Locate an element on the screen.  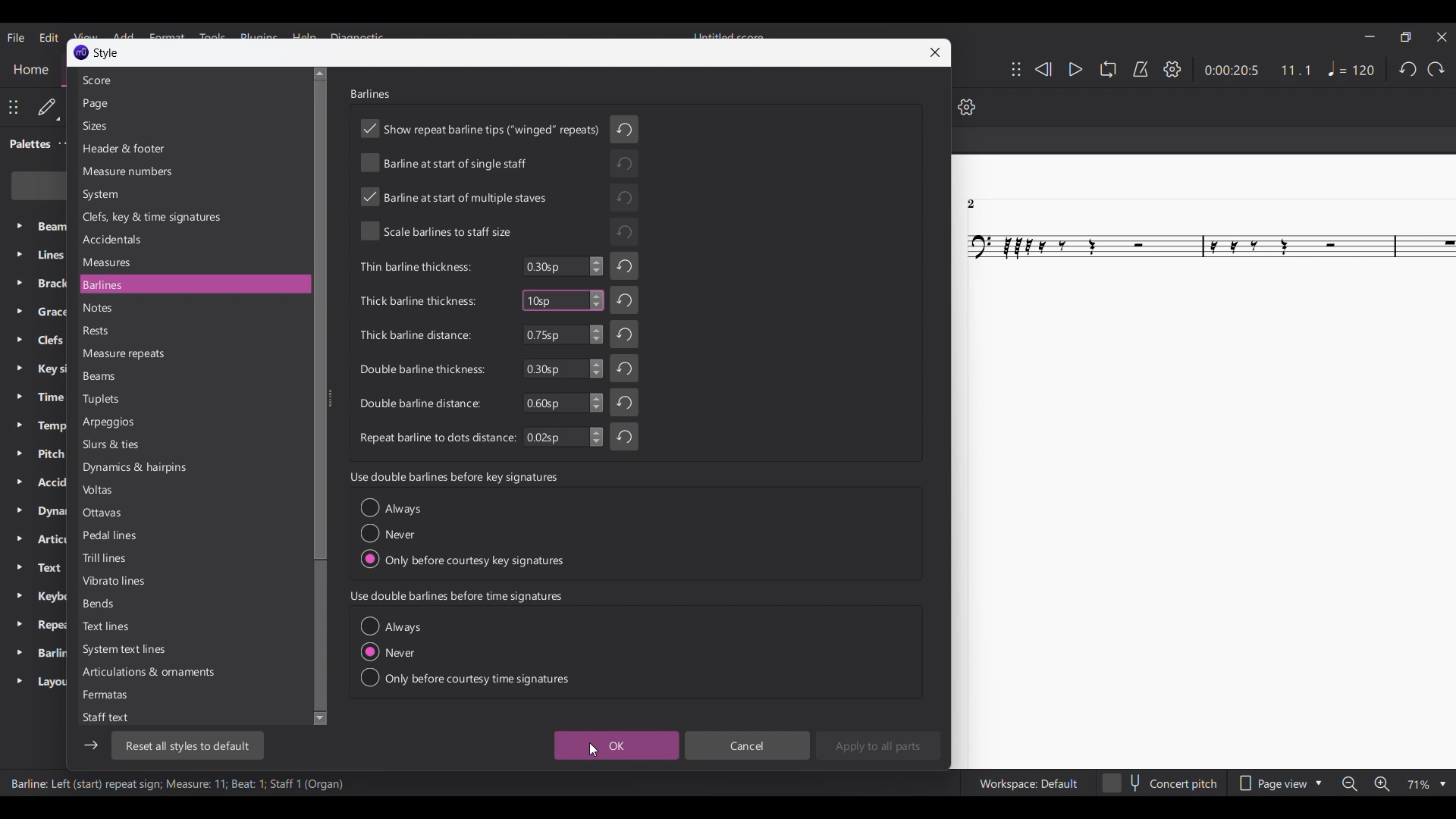
Redo is located at coordinates (1436, 69).